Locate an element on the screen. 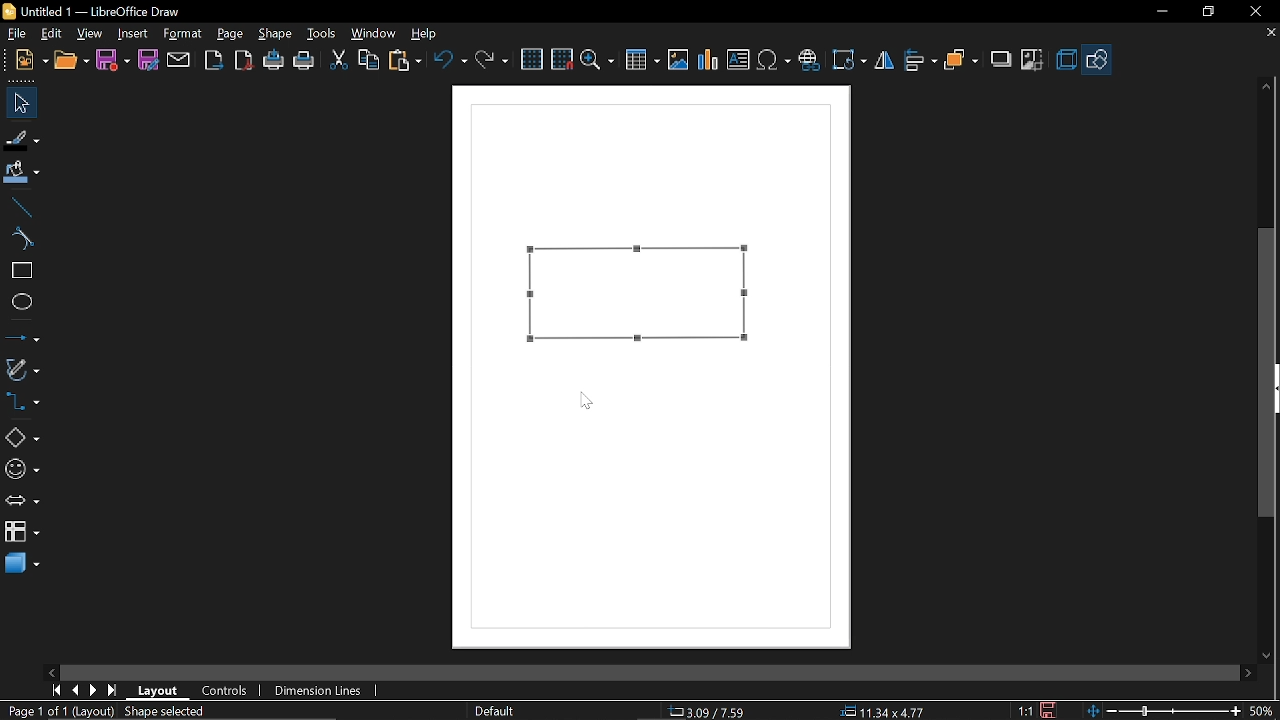 Image resolution: width=1280 pixels, height=720 pixels. layout is located at coordinates (161, 691).